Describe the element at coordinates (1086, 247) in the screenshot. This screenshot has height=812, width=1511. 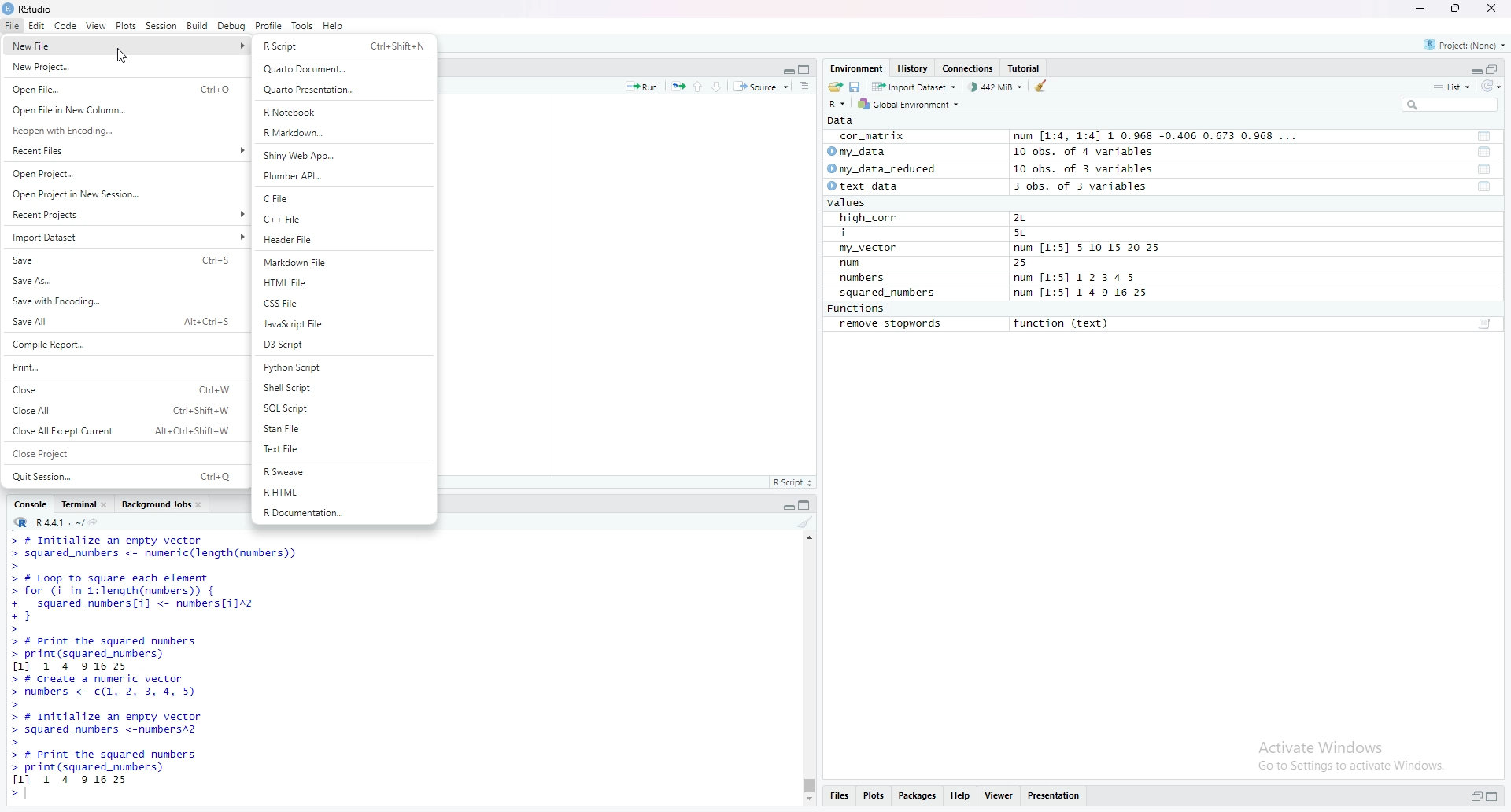
I see `num [1:5] 5 10 15 20 25` at that location.